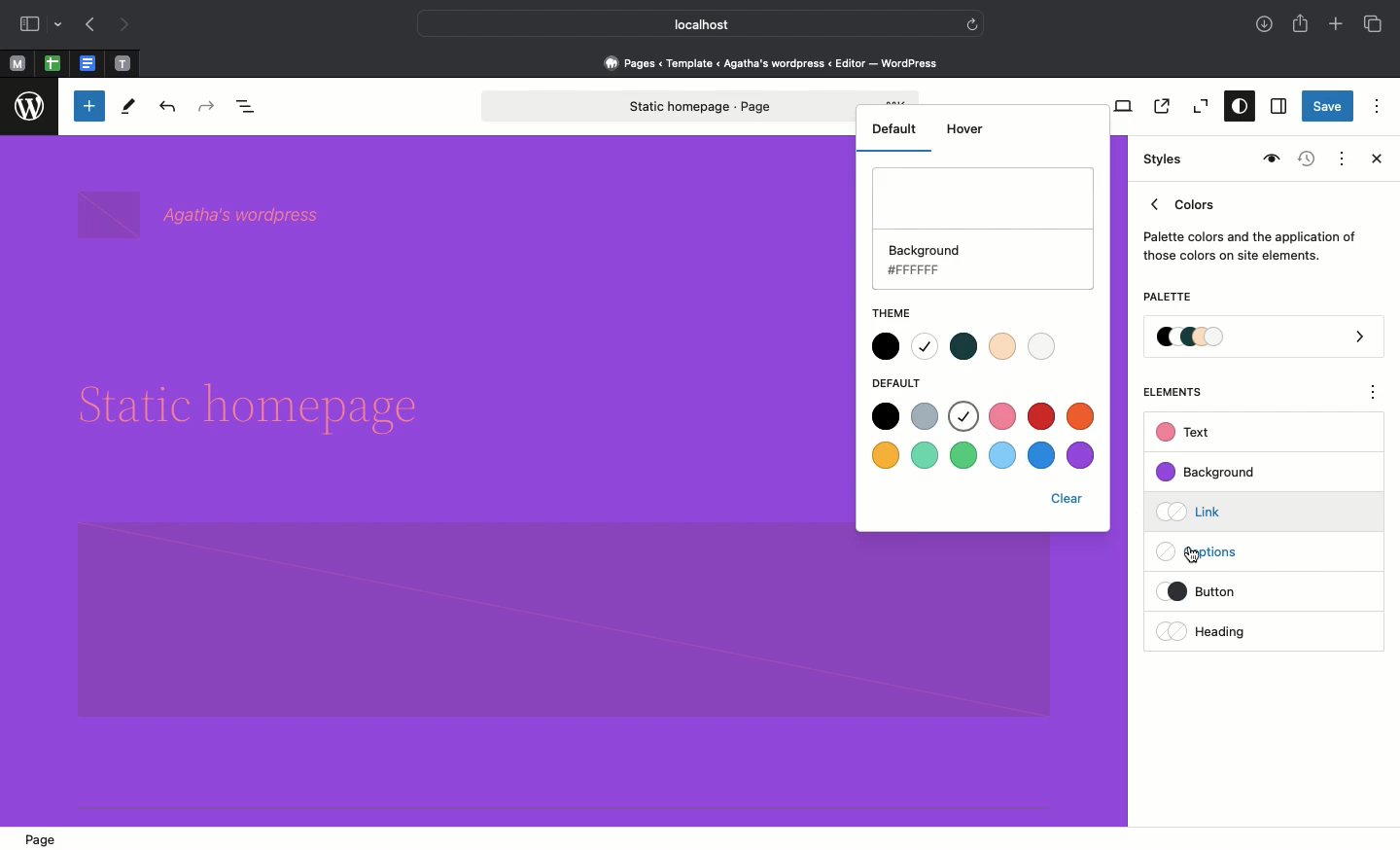 The height and width of the screenshot is (850, 1400). I want to click on Styles, so click(1165, 159).